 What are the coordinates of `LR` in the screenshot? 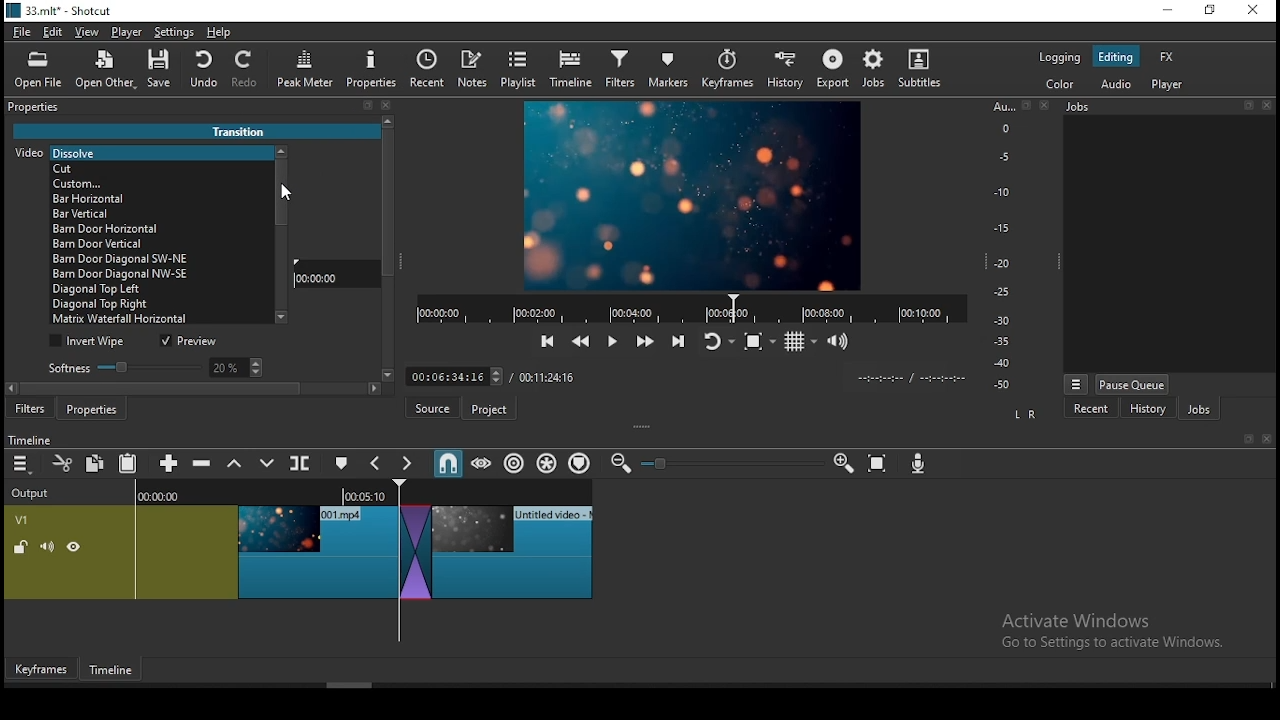 It's located at (1024, 416).